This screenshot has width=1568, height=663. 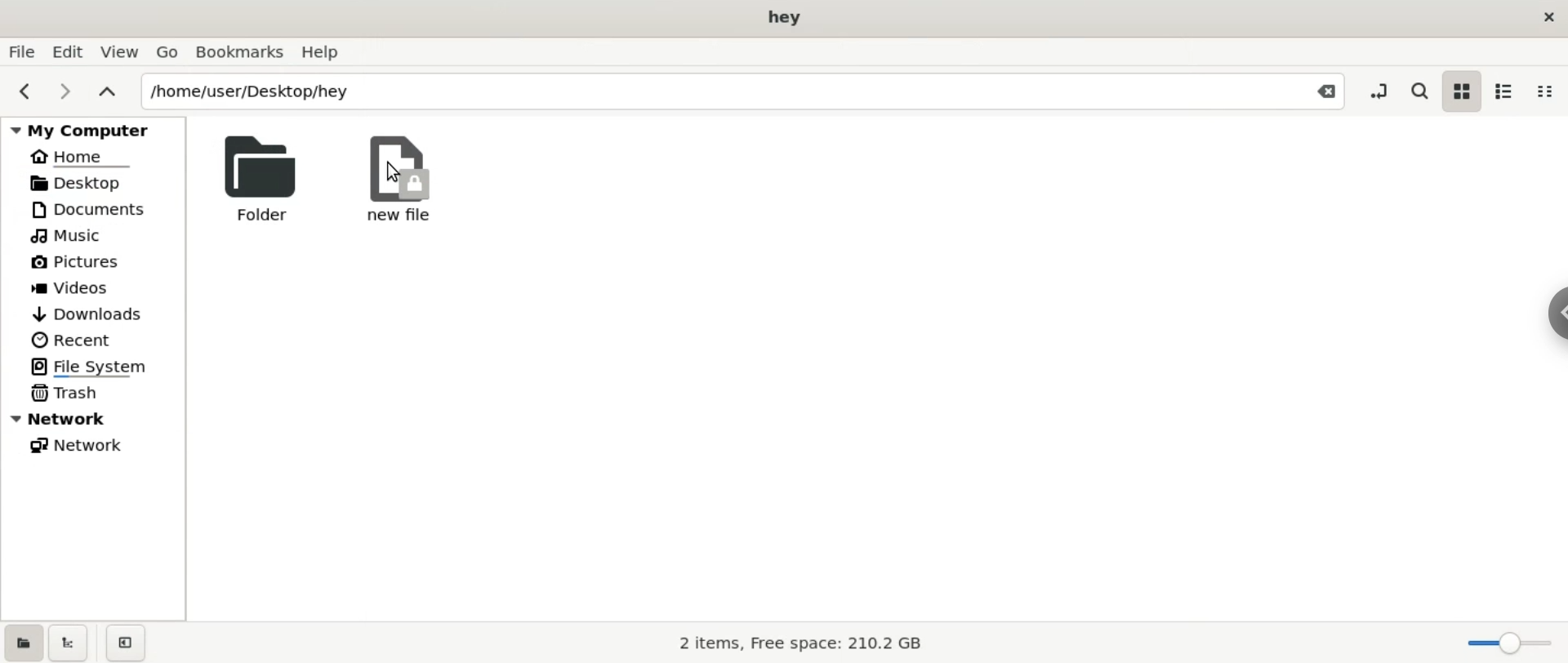 What do you see at coordinates (69, 238) in the screenshot?
I see `Music` at bounding box center [69, 238].